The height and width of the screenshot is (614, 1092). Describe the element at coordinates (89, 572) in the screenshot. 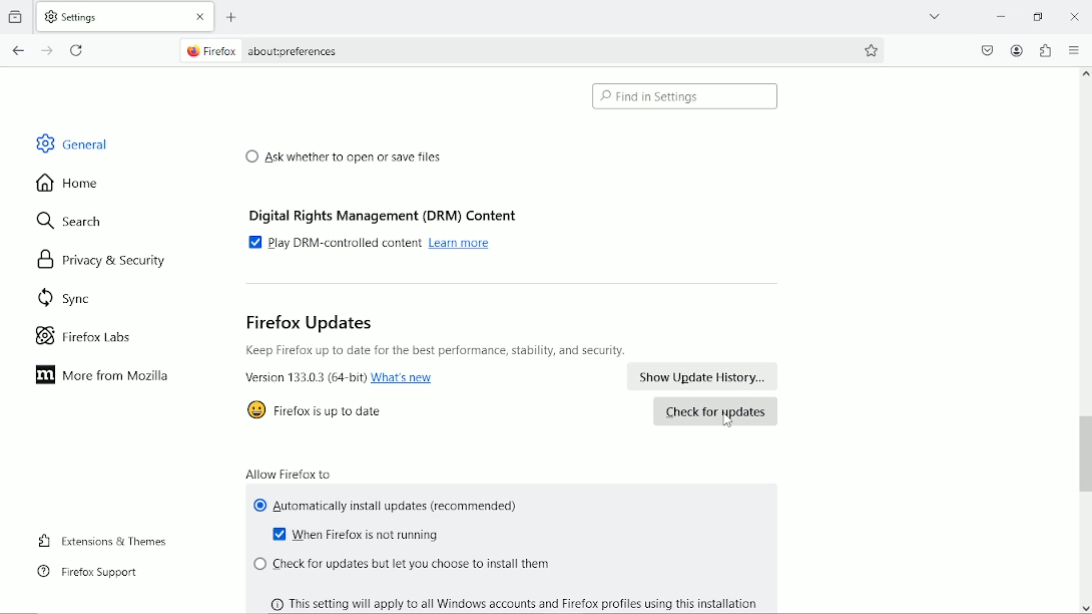

I see `firefox support` at that location.